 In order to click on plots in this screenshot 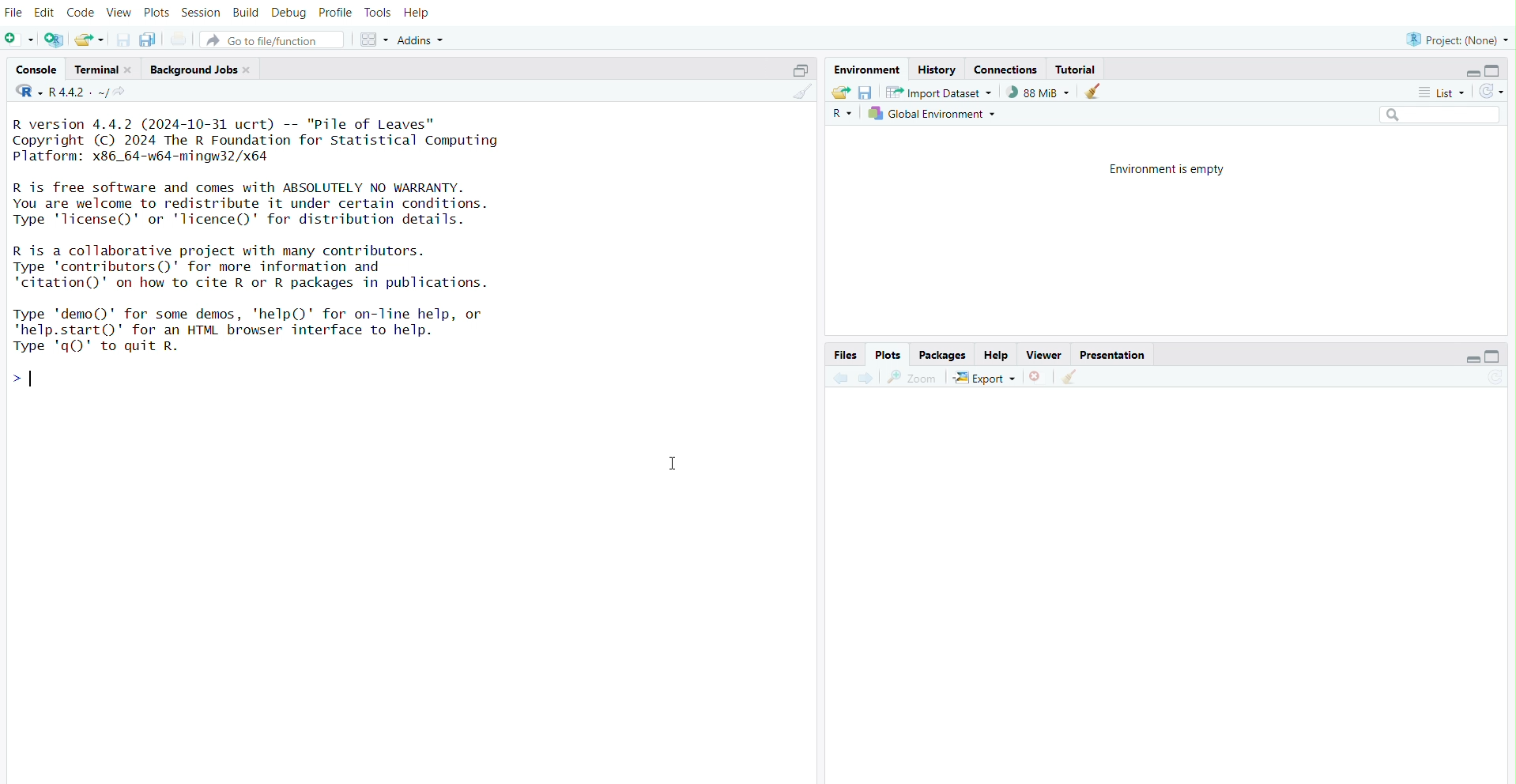, I will do `click(889, 355)`.